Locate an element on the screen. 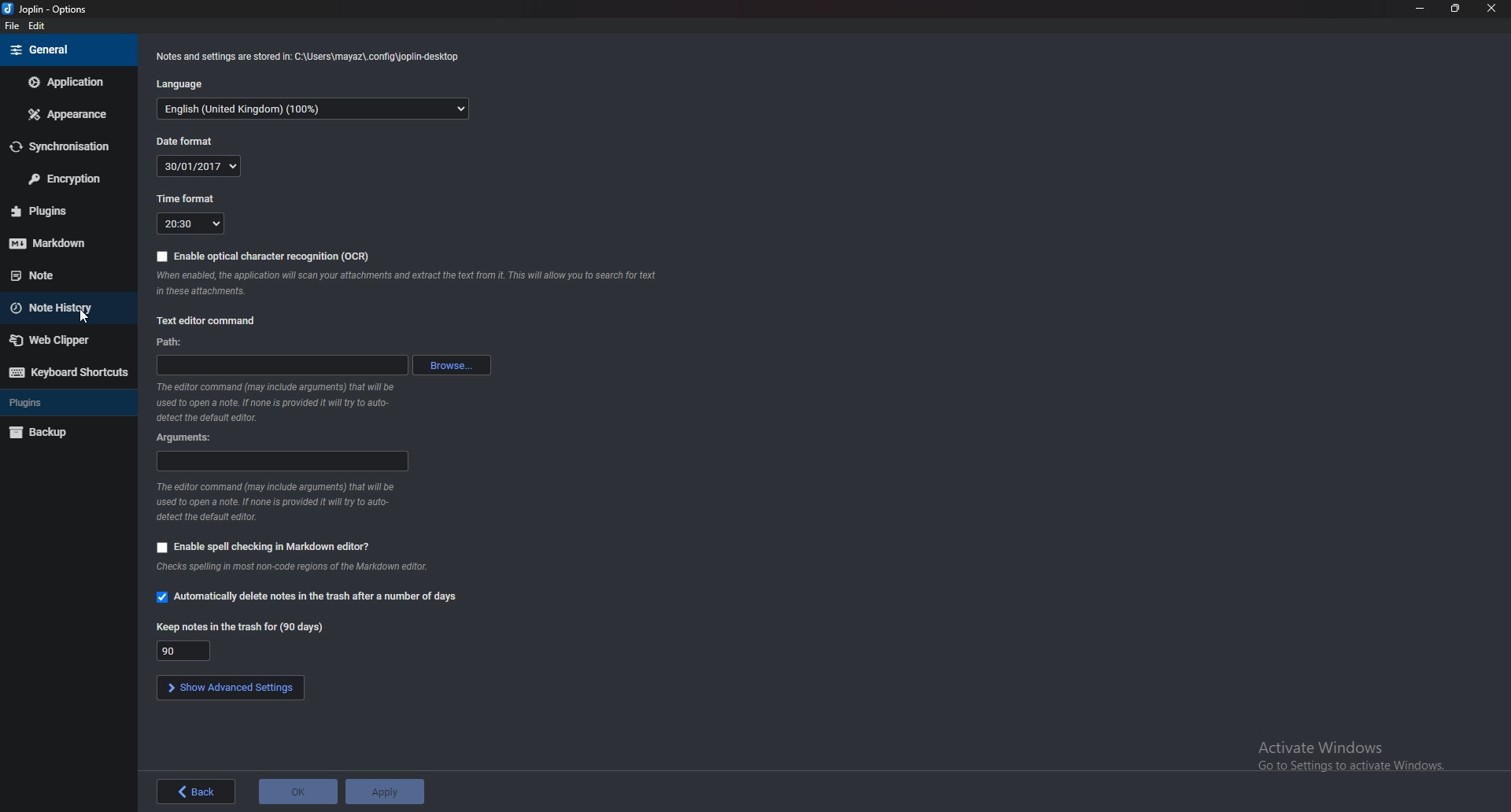 This screenshot has height=812, width=1511. Application is located at coordinates (69, 82).